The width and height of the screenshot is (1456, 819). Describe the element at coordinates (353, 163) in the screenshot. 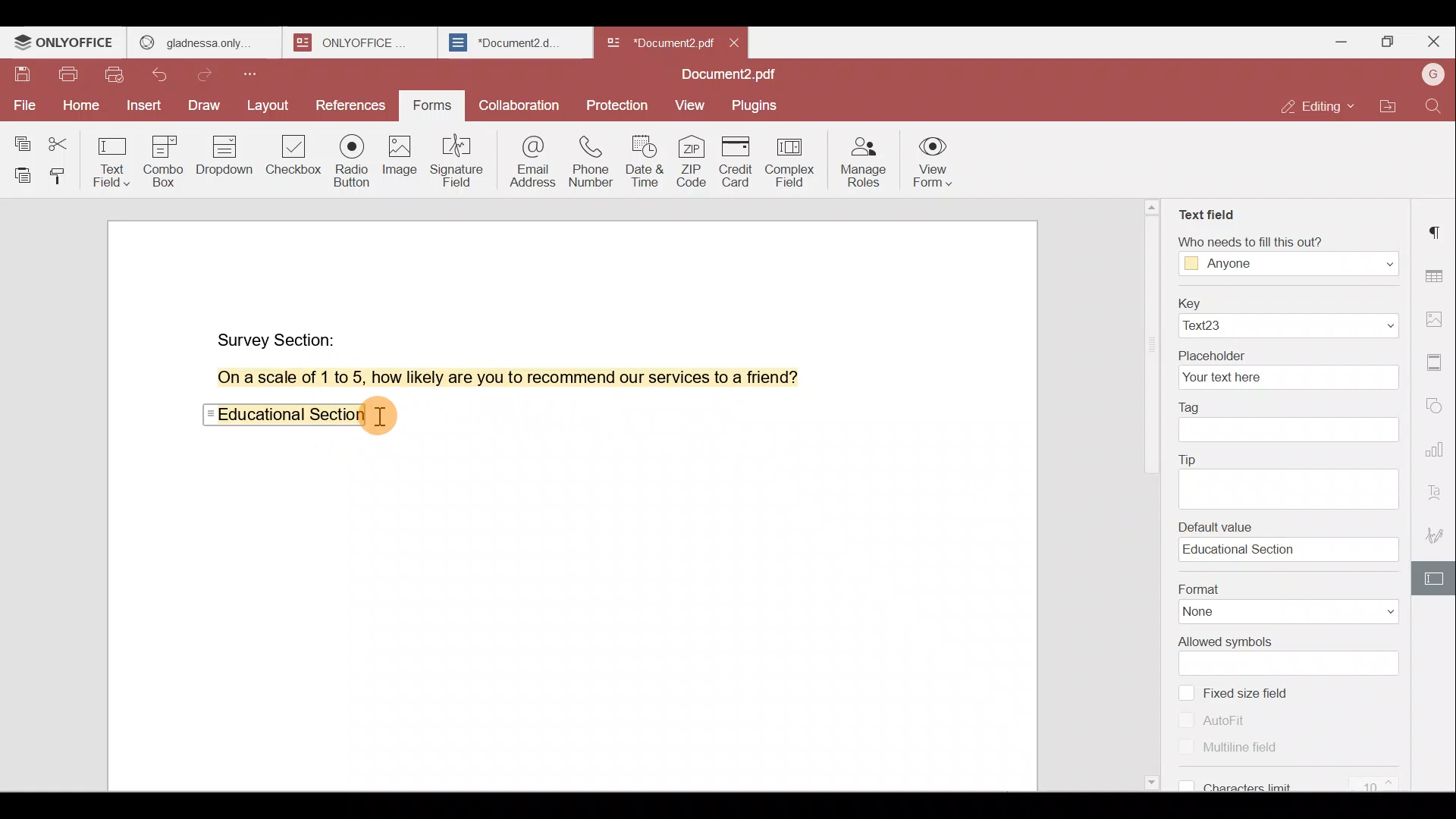

I see `Radio` at that location.